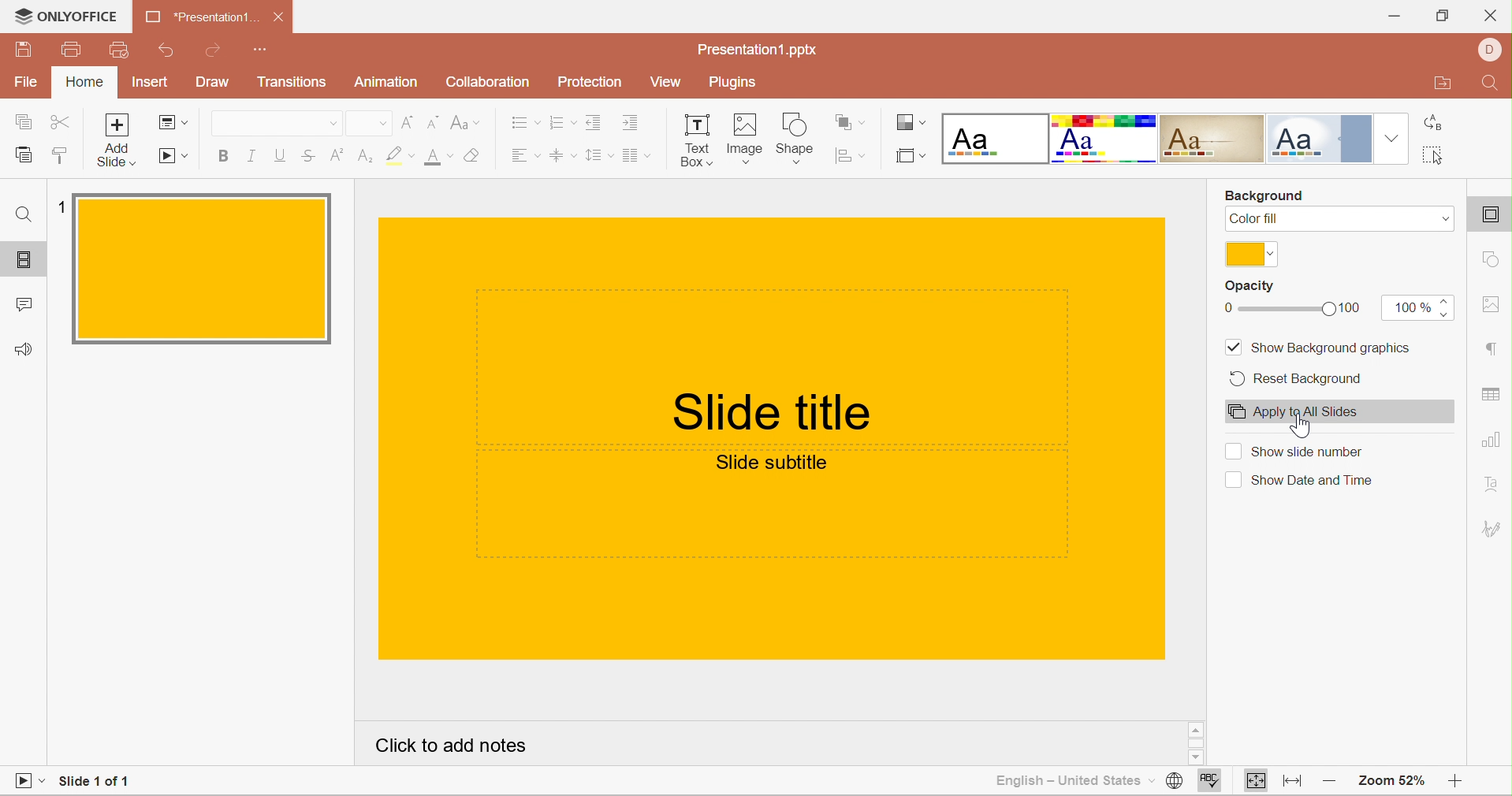 Image resolution: width=1512 pixels, height=796 pixels. Describe the element at coordinates (1493, 85) in the screenshot. I see `Find` at that location.